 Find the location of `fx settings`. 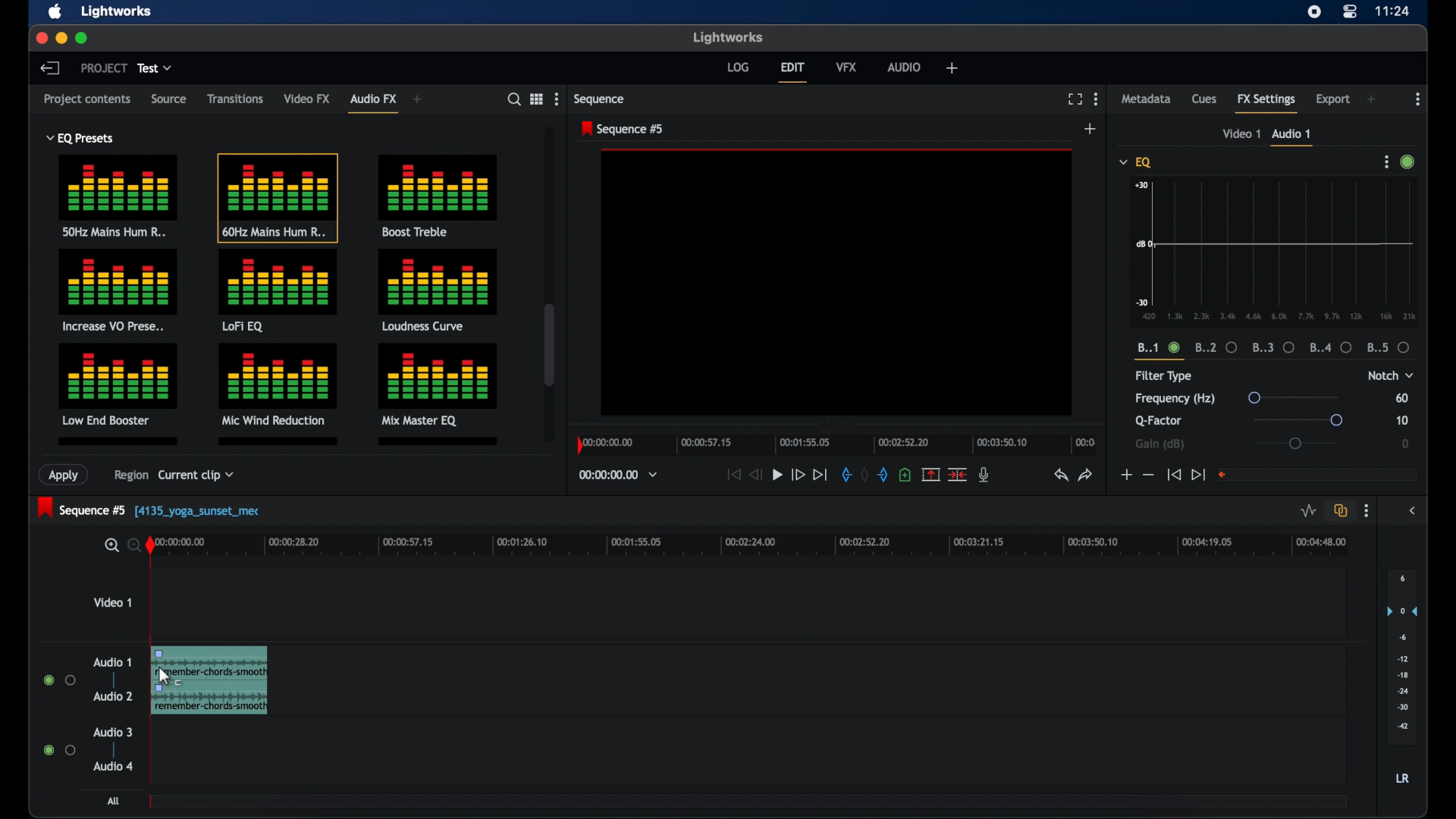

fx settings is located at coordinates (1266, 101).